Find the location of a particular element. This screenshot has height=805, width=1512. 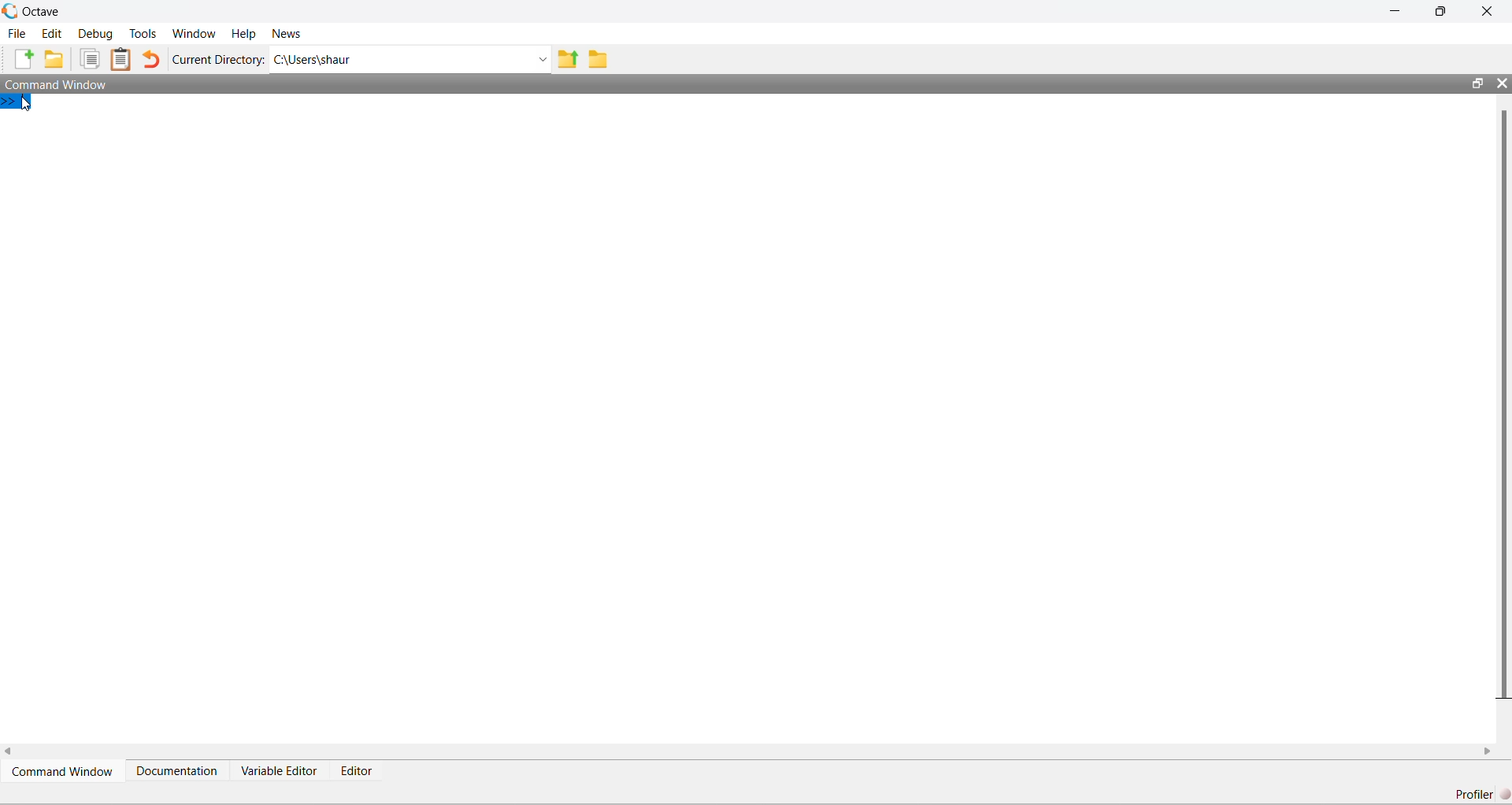

Edit is located at coordinates (51, 33).